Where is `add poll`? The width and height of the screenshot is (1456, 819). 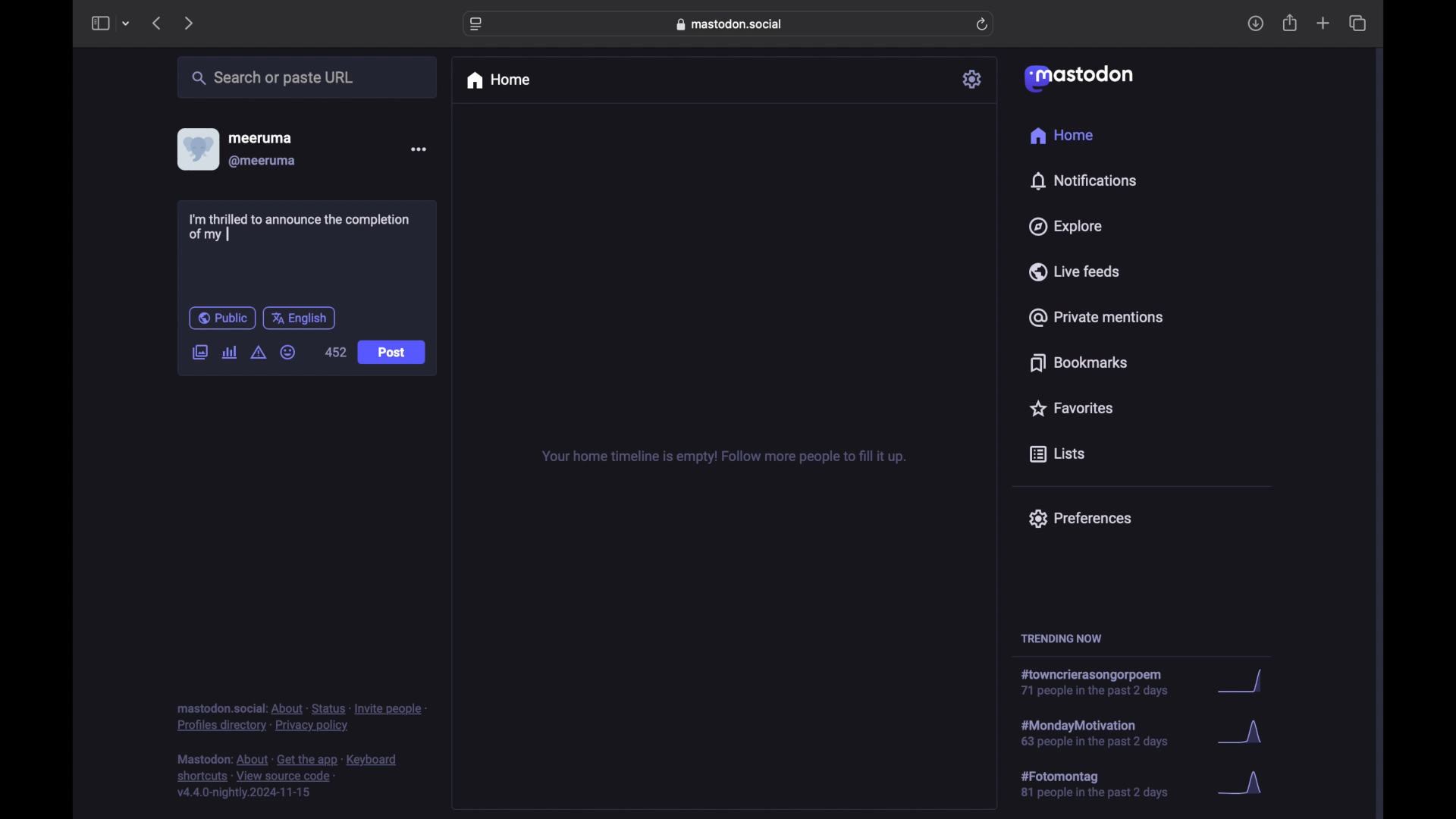
add poll is located at coordinates (231, 353).